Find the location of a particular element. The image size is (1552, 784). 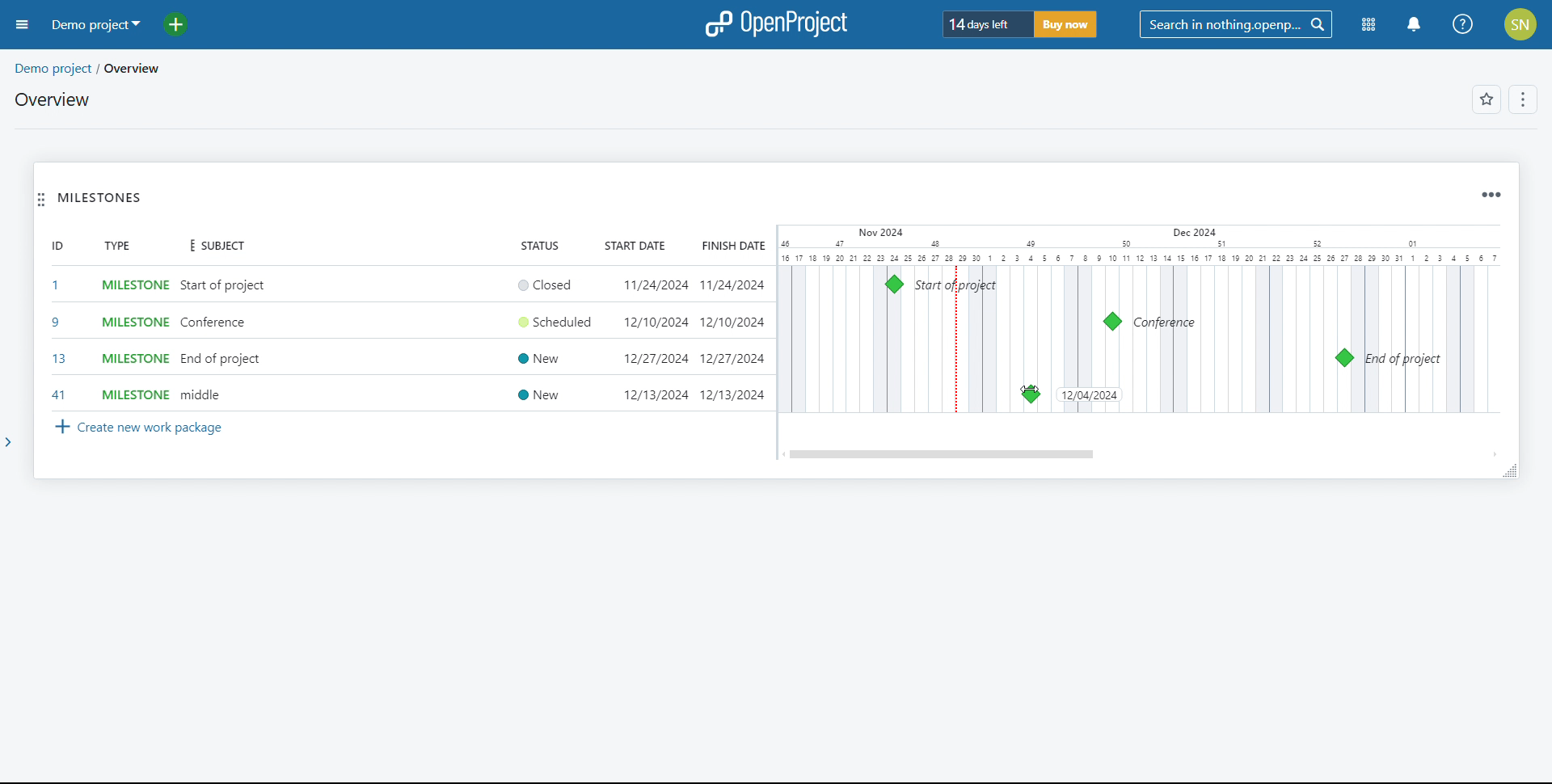

scroll left is located at coordinates (782, 454).